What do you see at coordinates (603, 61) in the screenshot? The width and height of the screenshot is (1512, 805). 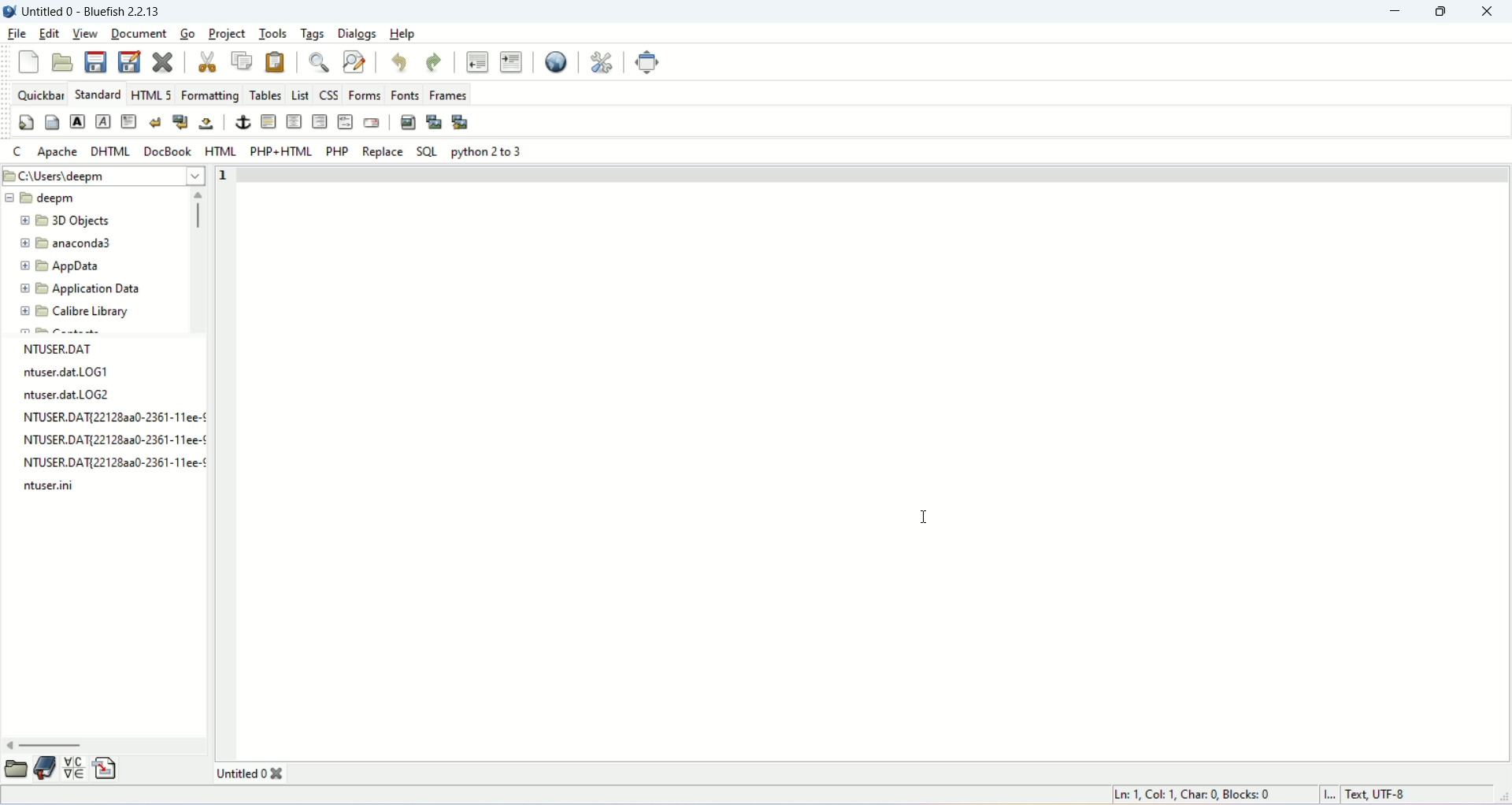 I see `edit preferences` at bounding box center [603, 61].